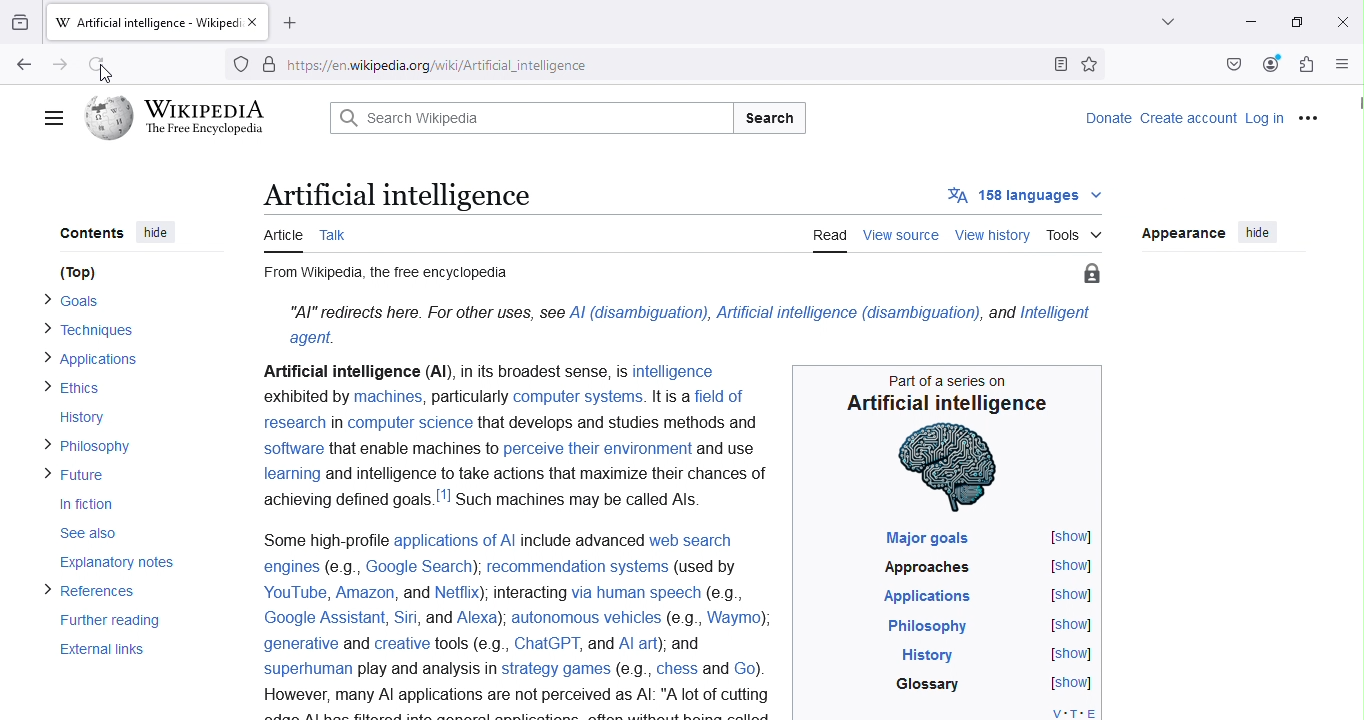 This screenshot has width=1364, height=720. I want to click on [show], so click(1068, 684).